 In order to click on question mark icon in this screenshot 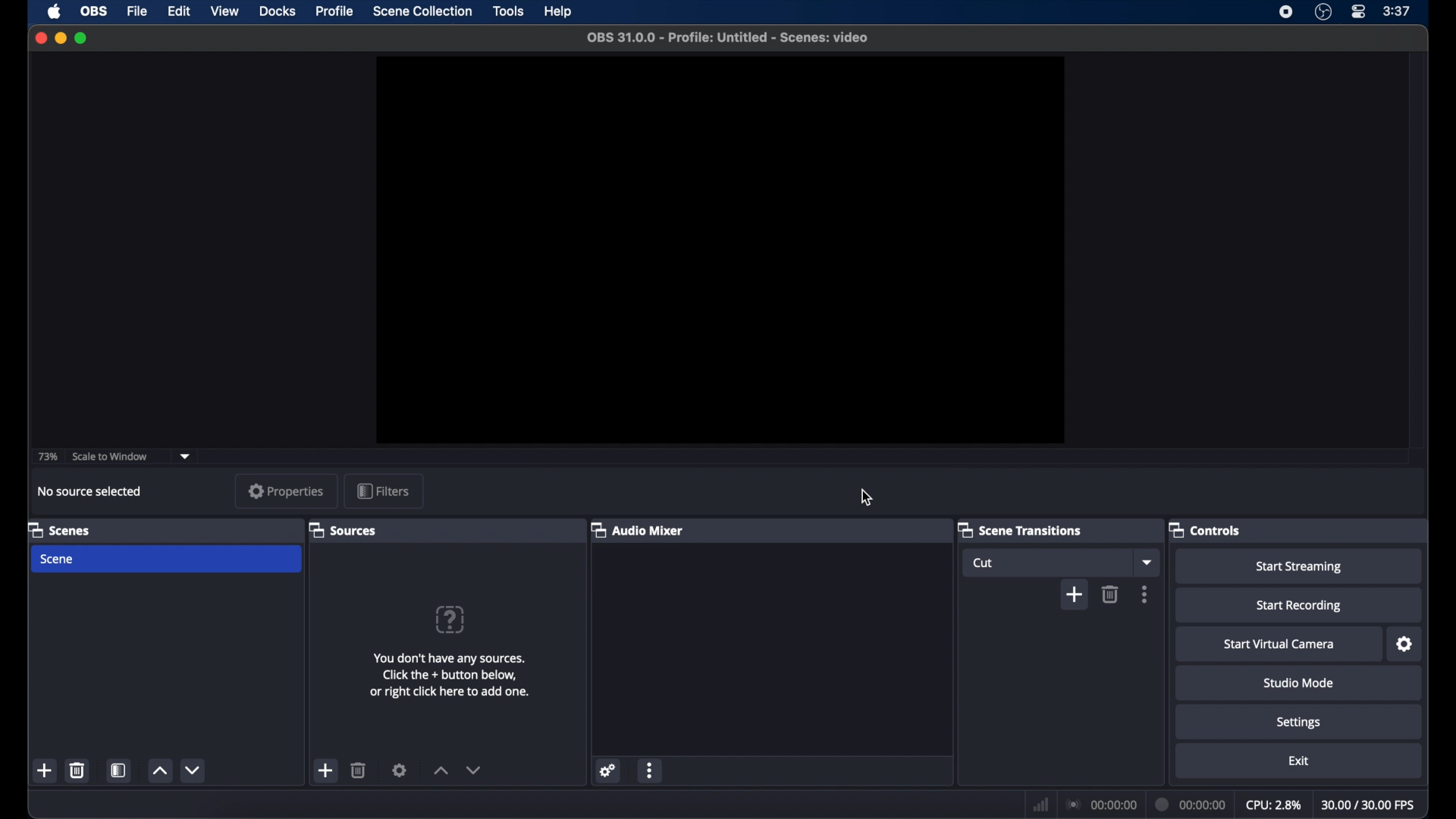, I will do `click(450, 620)`.